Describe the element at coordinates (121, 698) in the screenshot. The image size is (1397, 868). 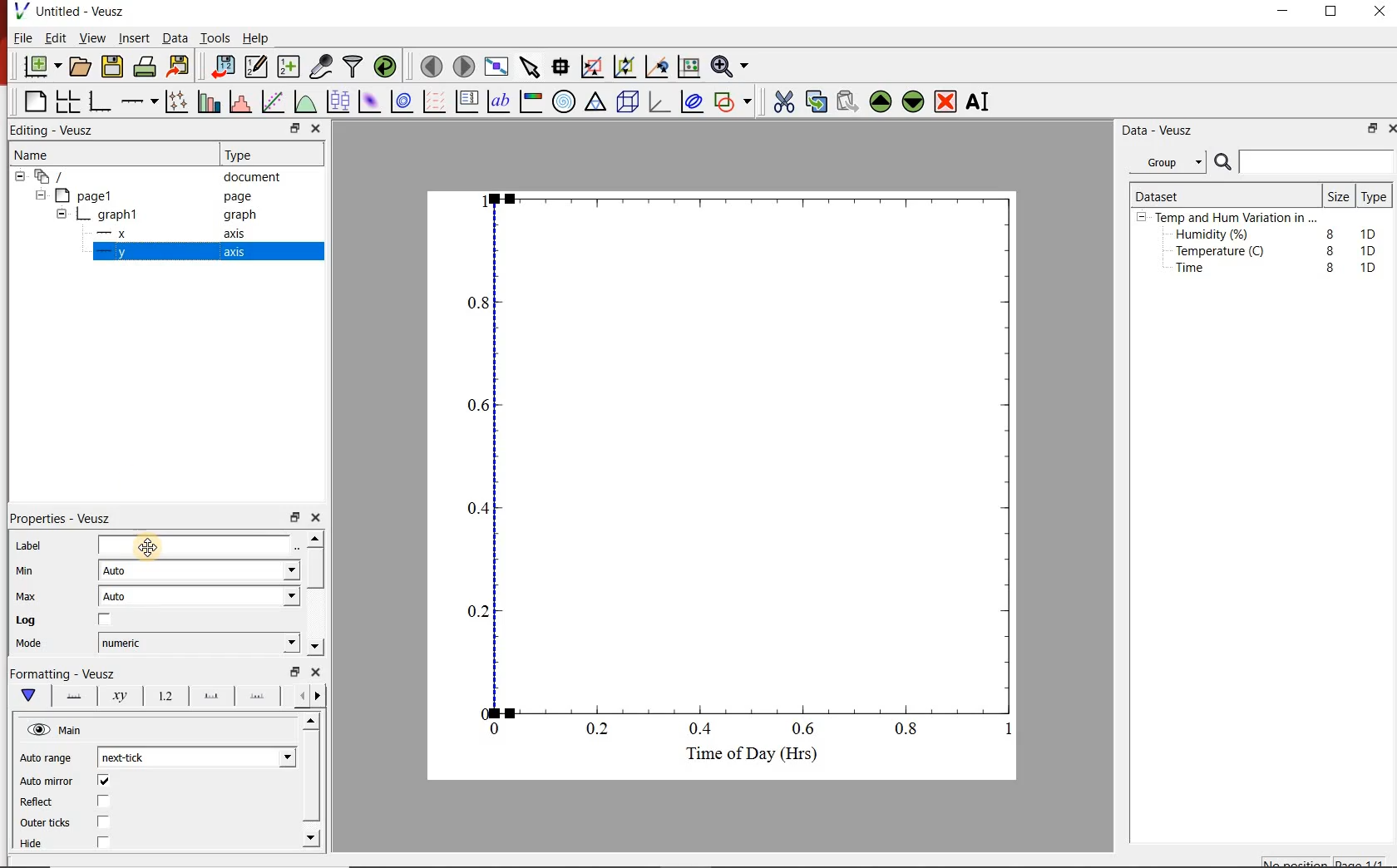
I see `axis label` at that location.